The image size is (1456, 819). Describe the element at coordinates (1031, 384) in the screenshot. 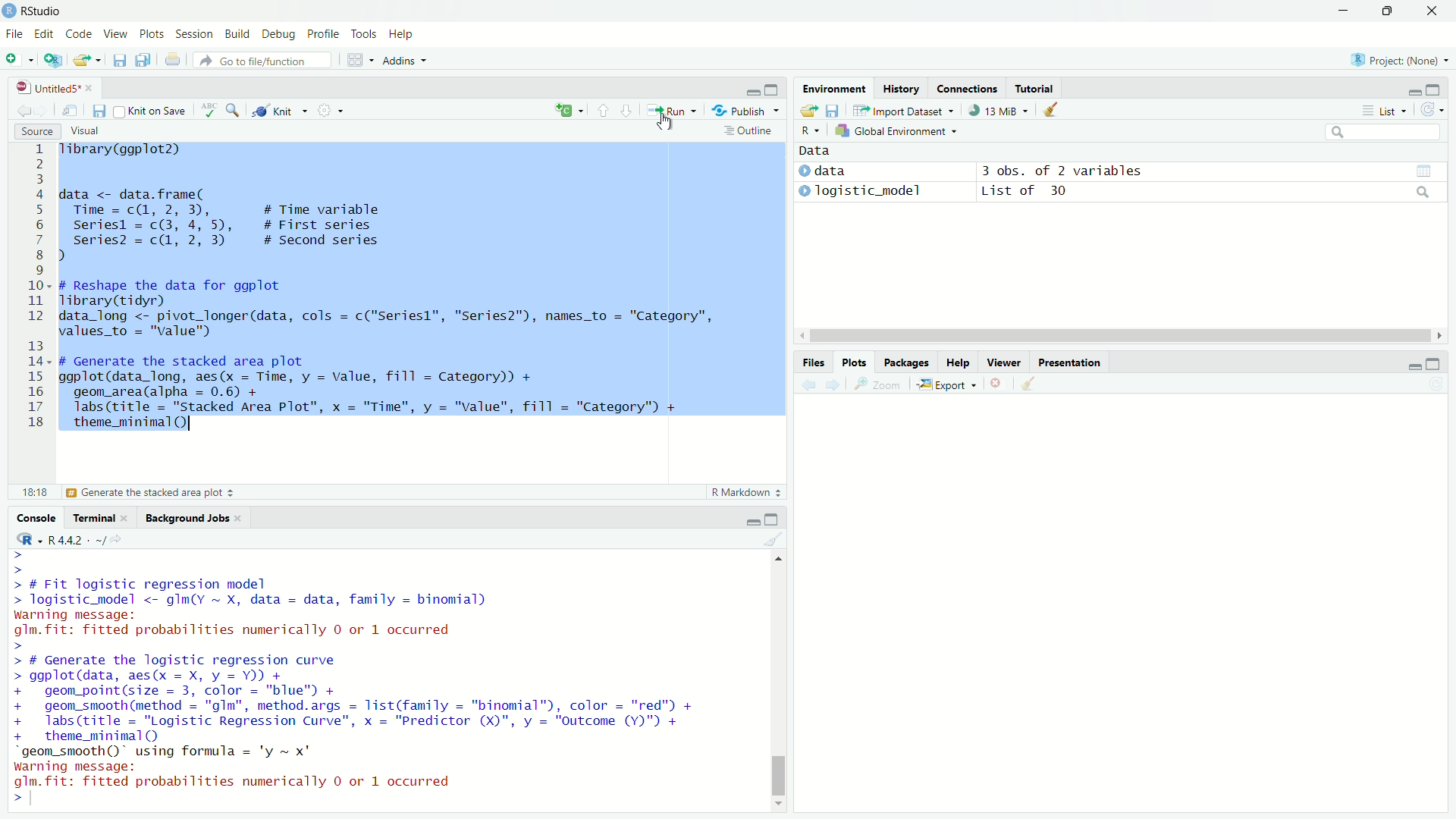

I see `clear` at that location.